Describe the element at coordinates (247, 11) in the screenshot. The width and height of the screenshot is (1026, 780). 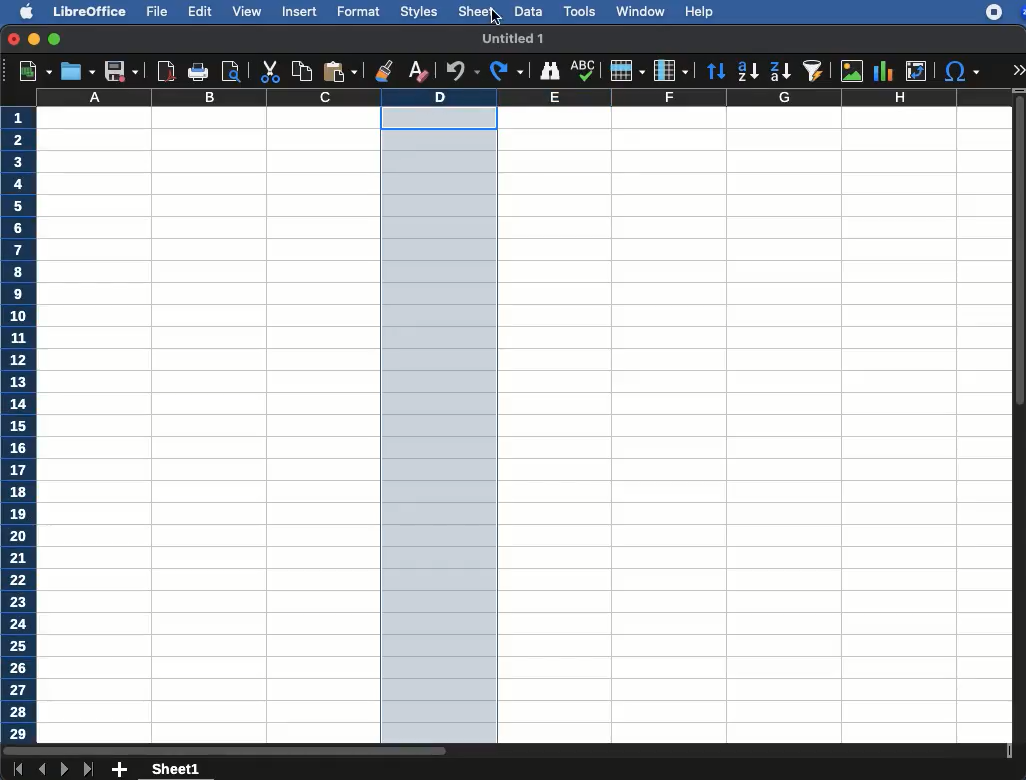
I see `view` at that location.